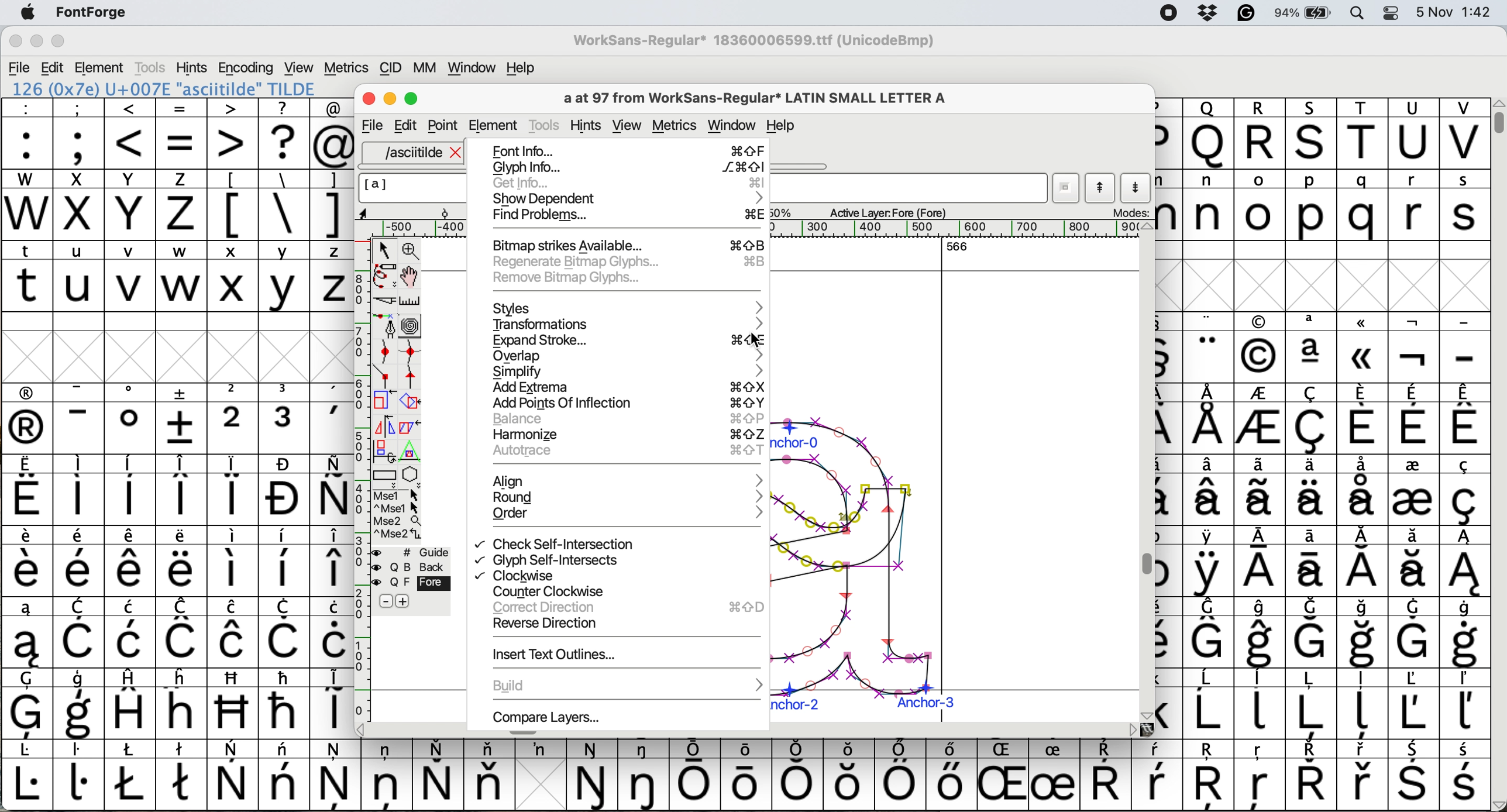  What do you see at coordinates (282, 277) in the screenshot?
I see `y` at bounding box center [282, 277].